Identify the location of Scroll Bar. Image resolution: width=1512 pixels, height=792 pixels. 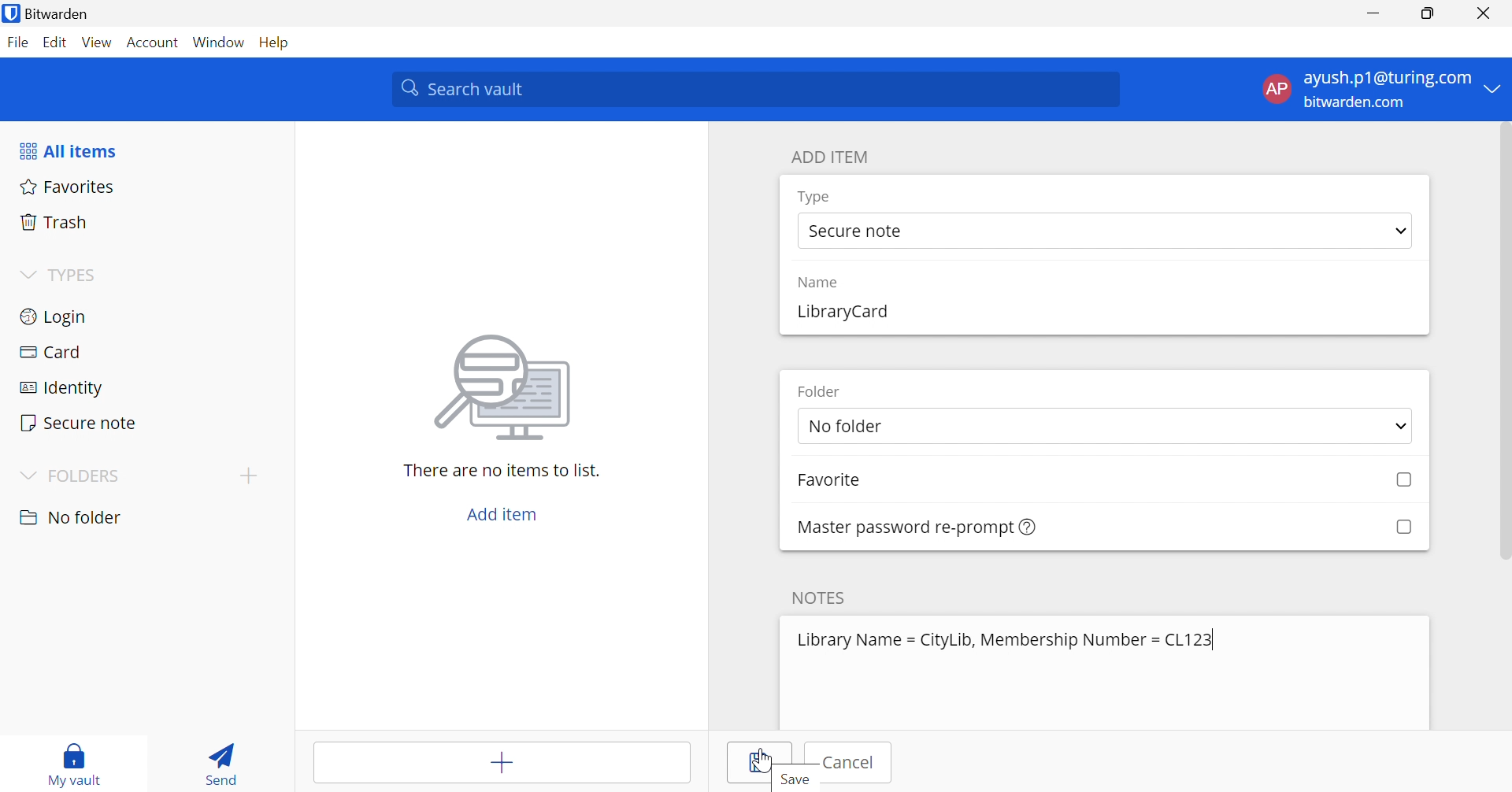
(1503, 344).